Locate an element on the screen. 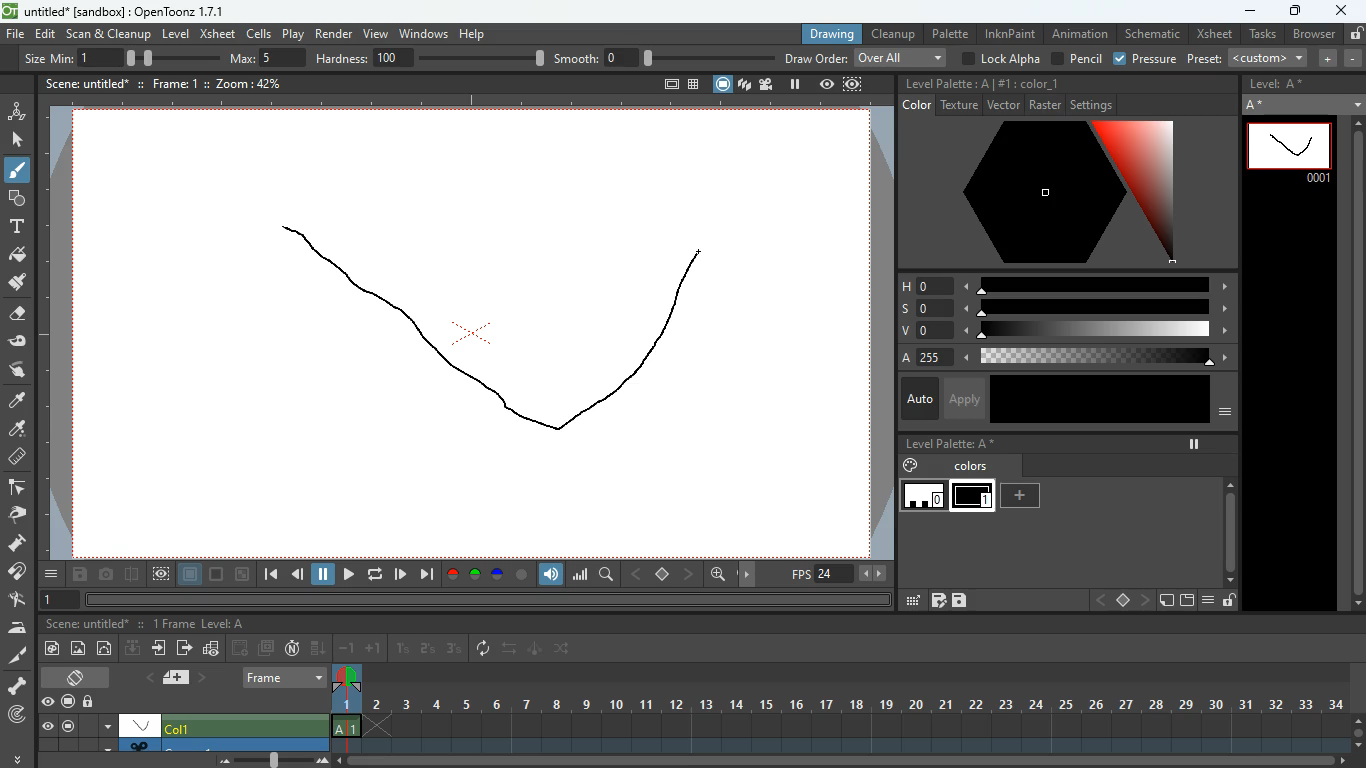  pause is located at coordinates (67, 726).